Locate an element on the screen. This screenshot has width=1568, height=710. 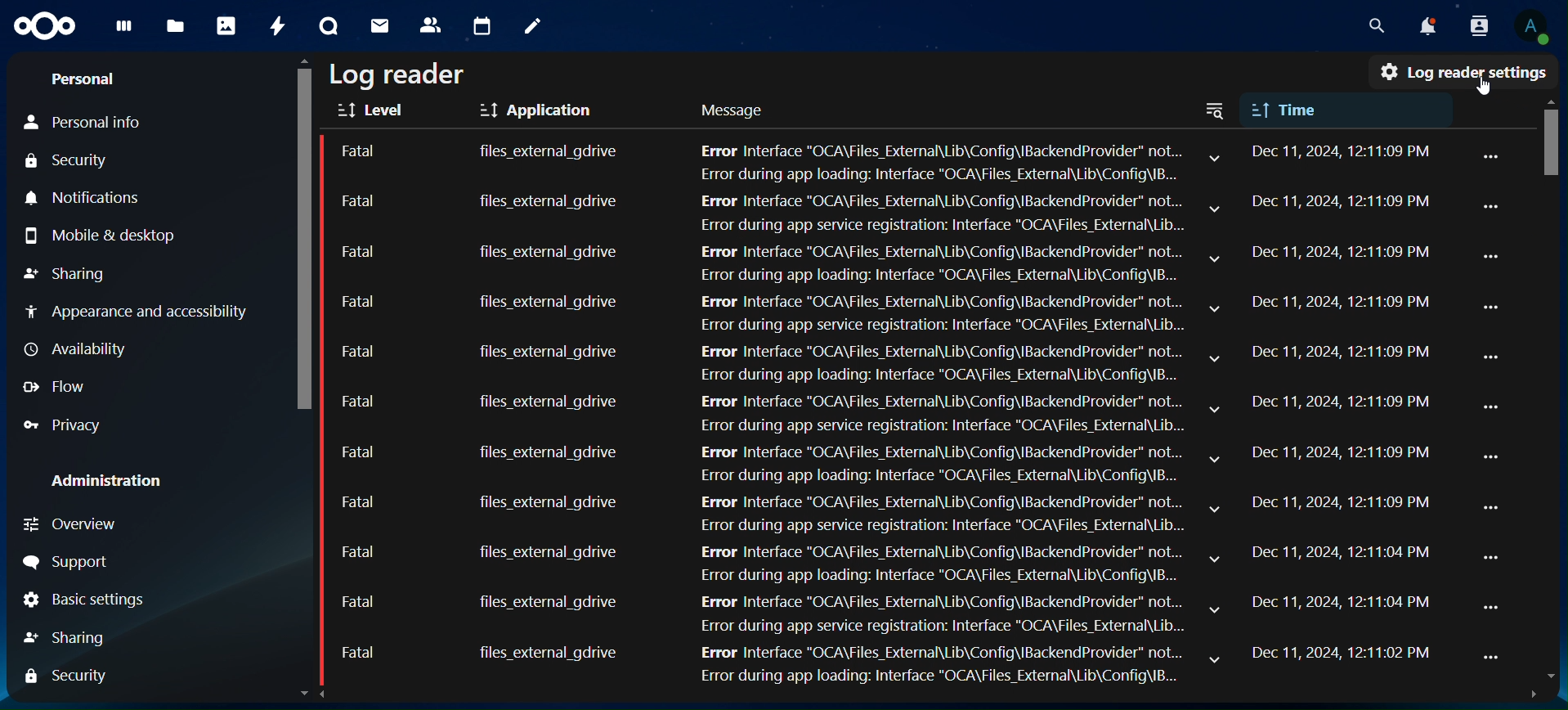
mail is located at coordinates (379, 26).